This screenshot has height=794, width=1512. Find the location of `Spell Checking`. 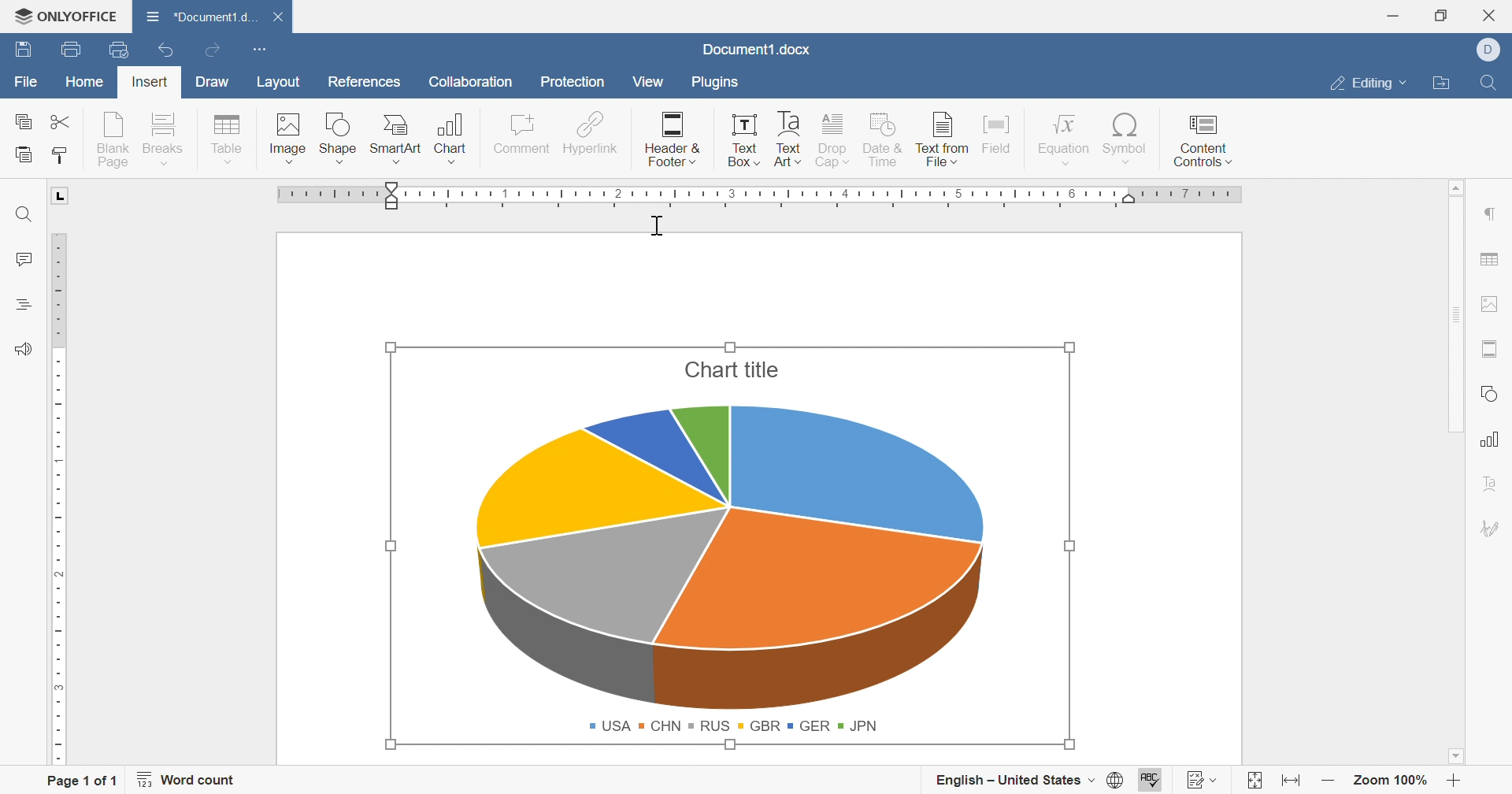

Spell Checking is located at coordinates (1152, 779).